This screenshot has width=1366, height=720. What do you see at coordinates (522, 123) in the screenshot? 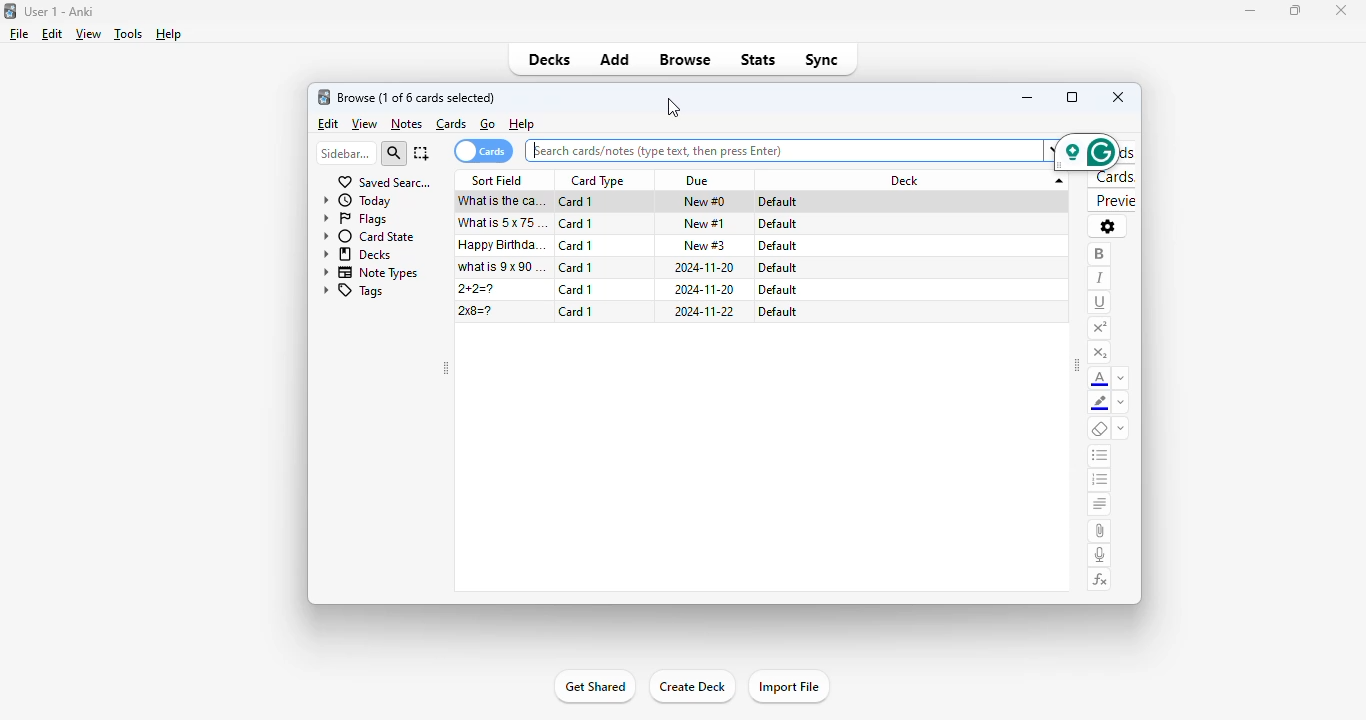
I see `help` at bounding box center [522, 123].